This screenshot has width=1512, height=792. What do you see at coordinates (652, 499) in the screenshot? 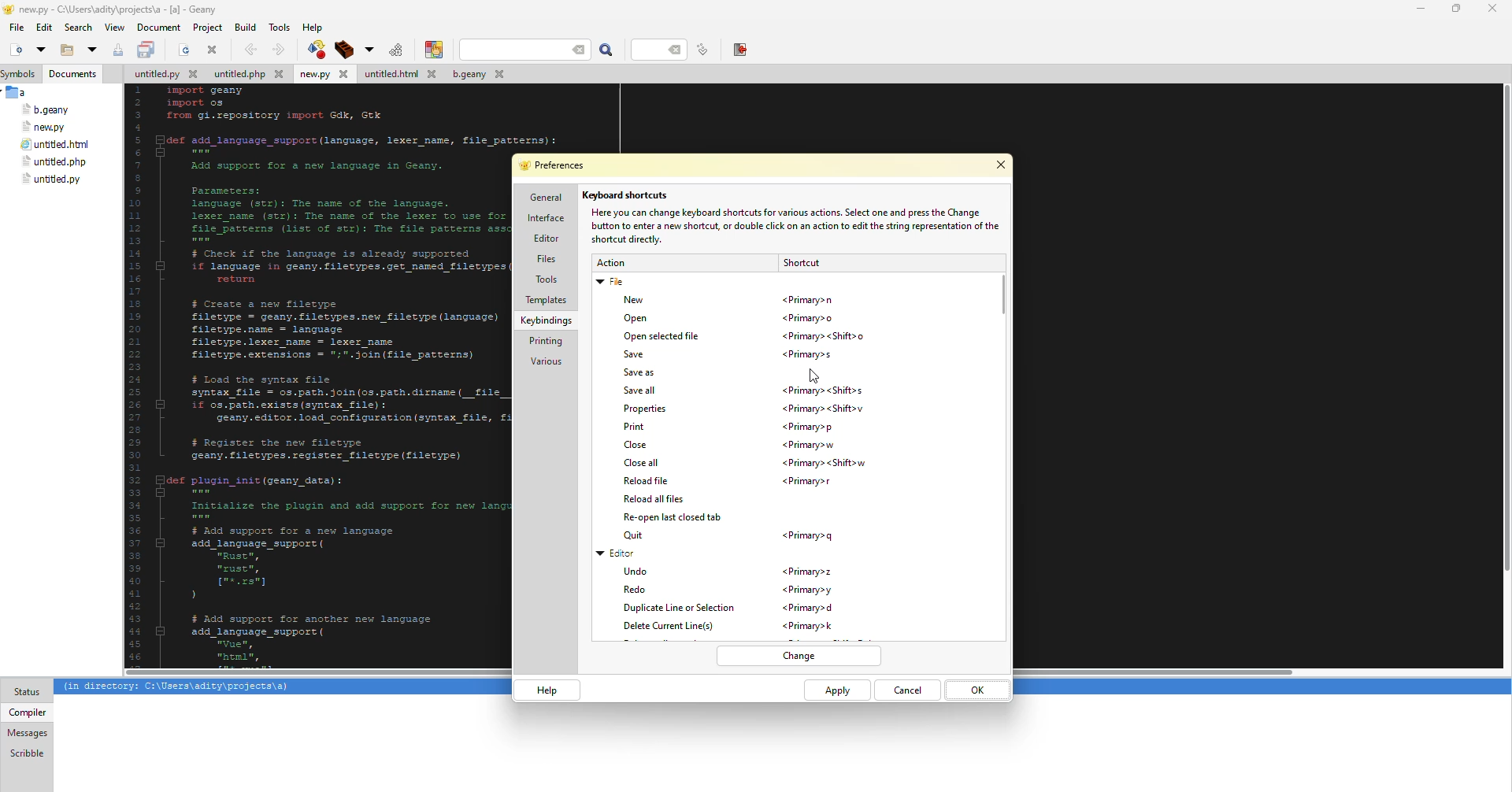
I see `reload all` at bounding box center [652, 499].